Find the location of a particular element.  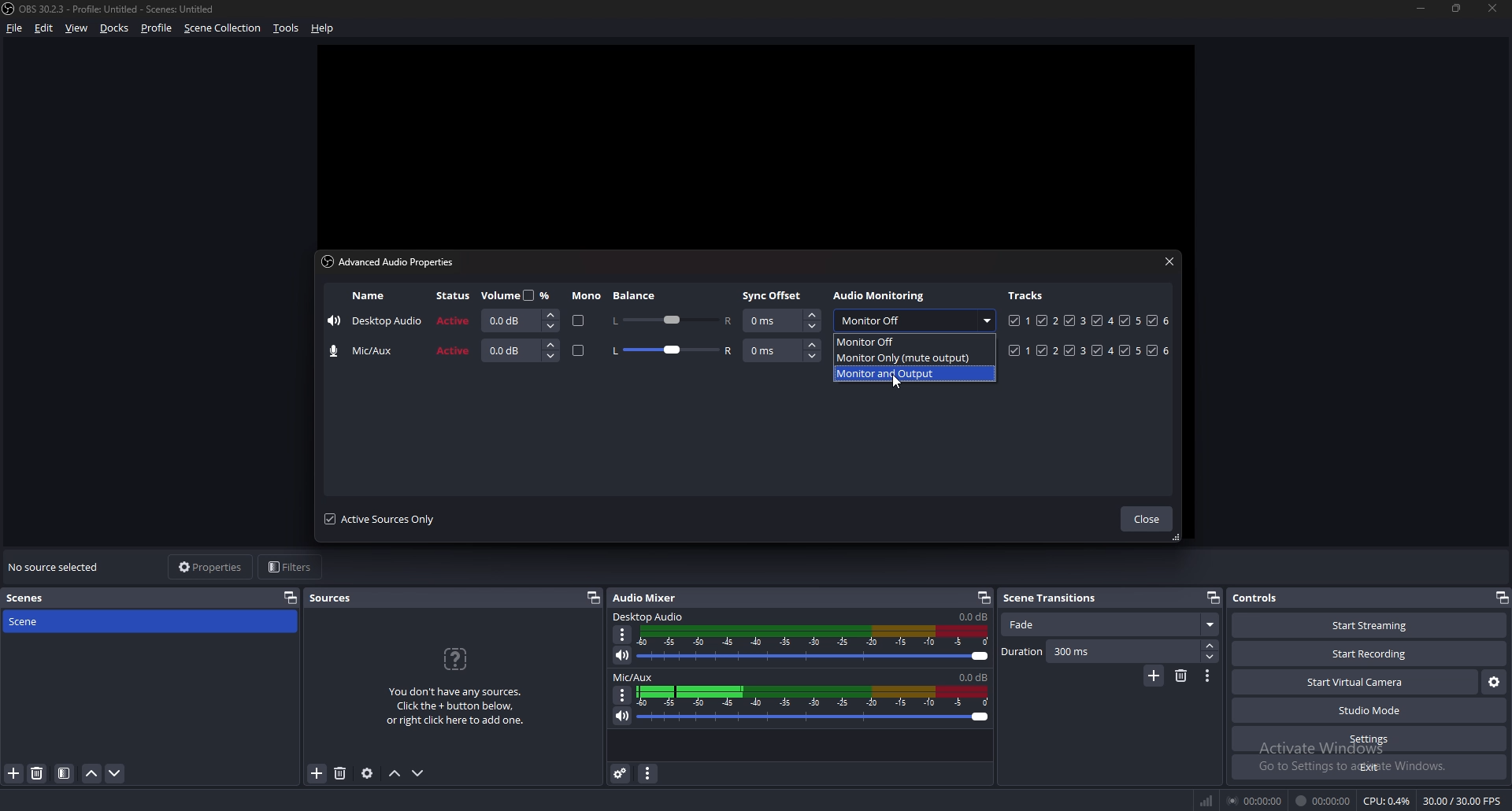

help is located at coordinates (325, 27).